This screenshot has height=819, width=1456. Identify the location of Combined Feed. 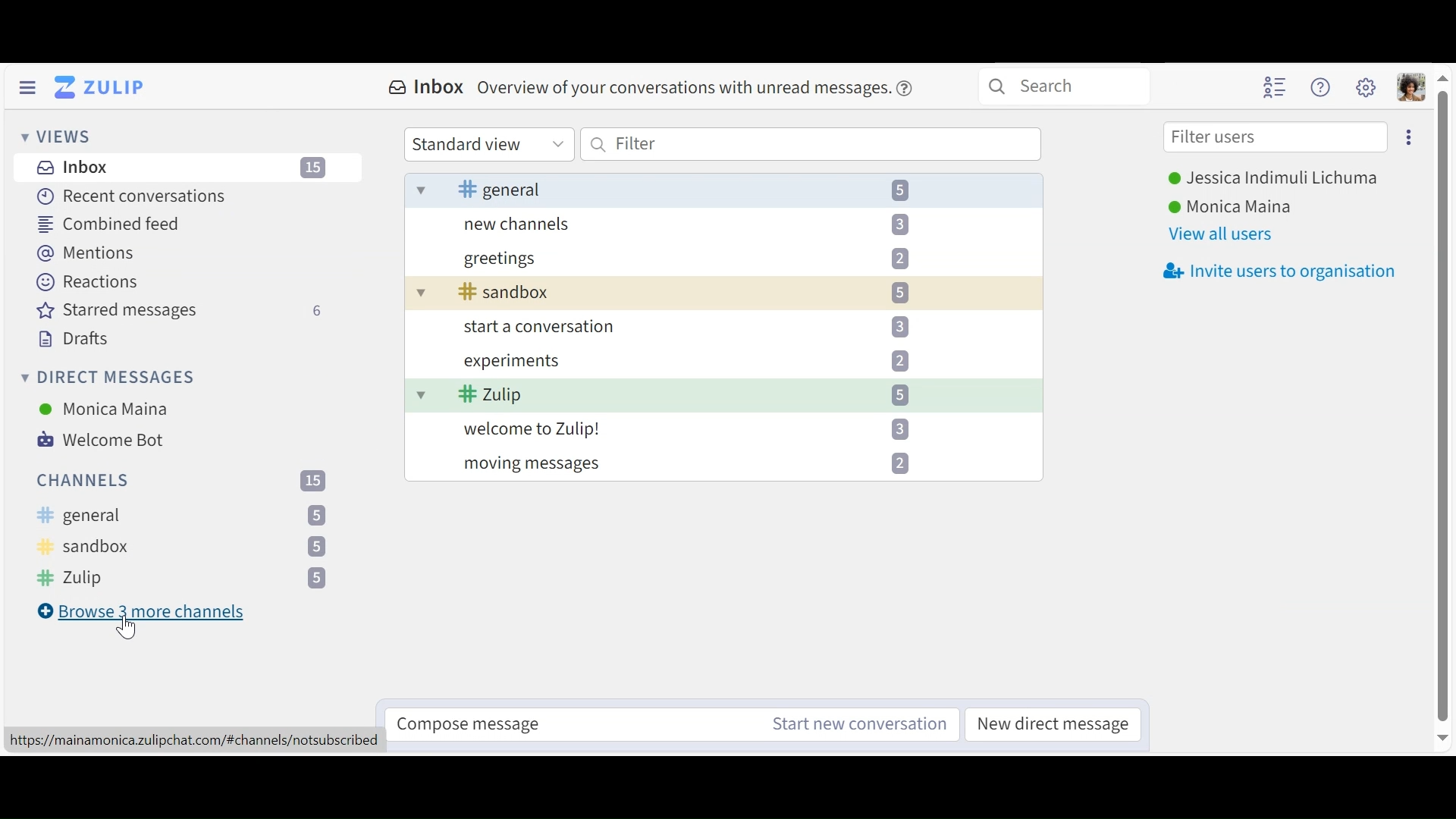
(107, 224).